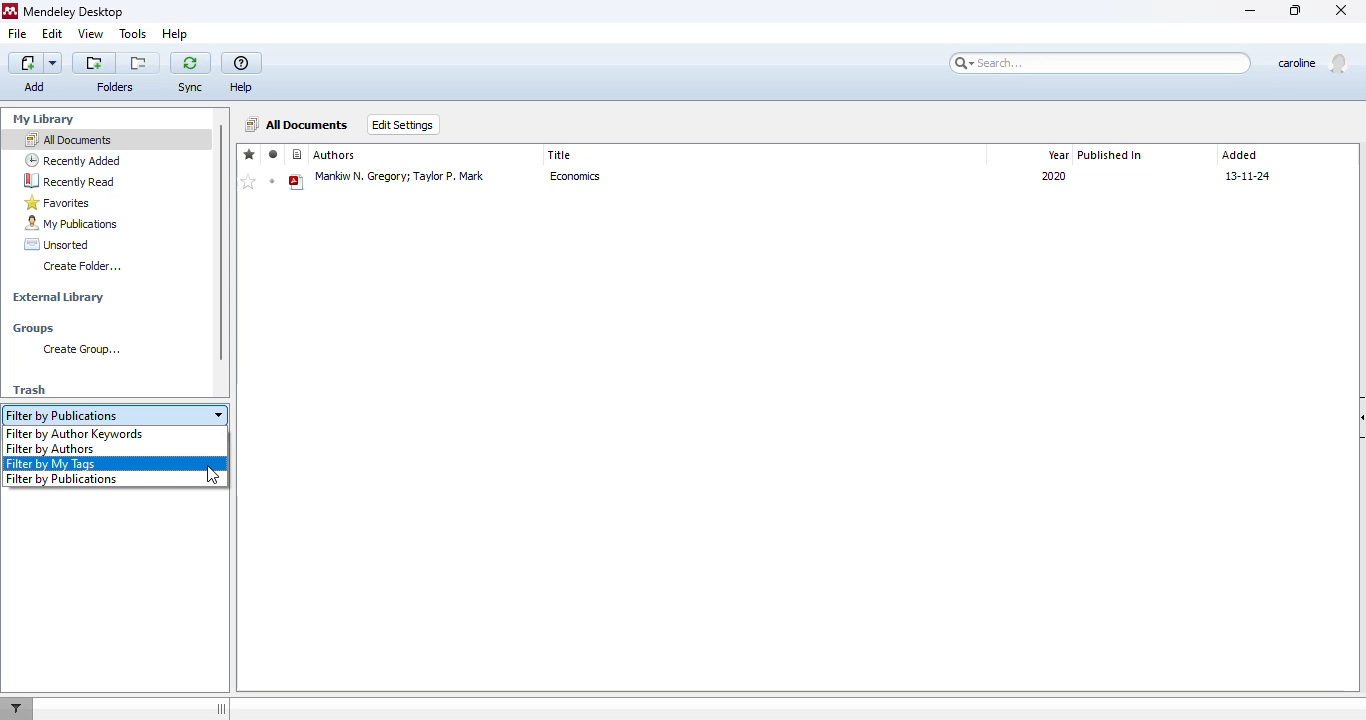  Describe the element at coordinates (80, 350) in the screenshot. I see `create group` at that location.